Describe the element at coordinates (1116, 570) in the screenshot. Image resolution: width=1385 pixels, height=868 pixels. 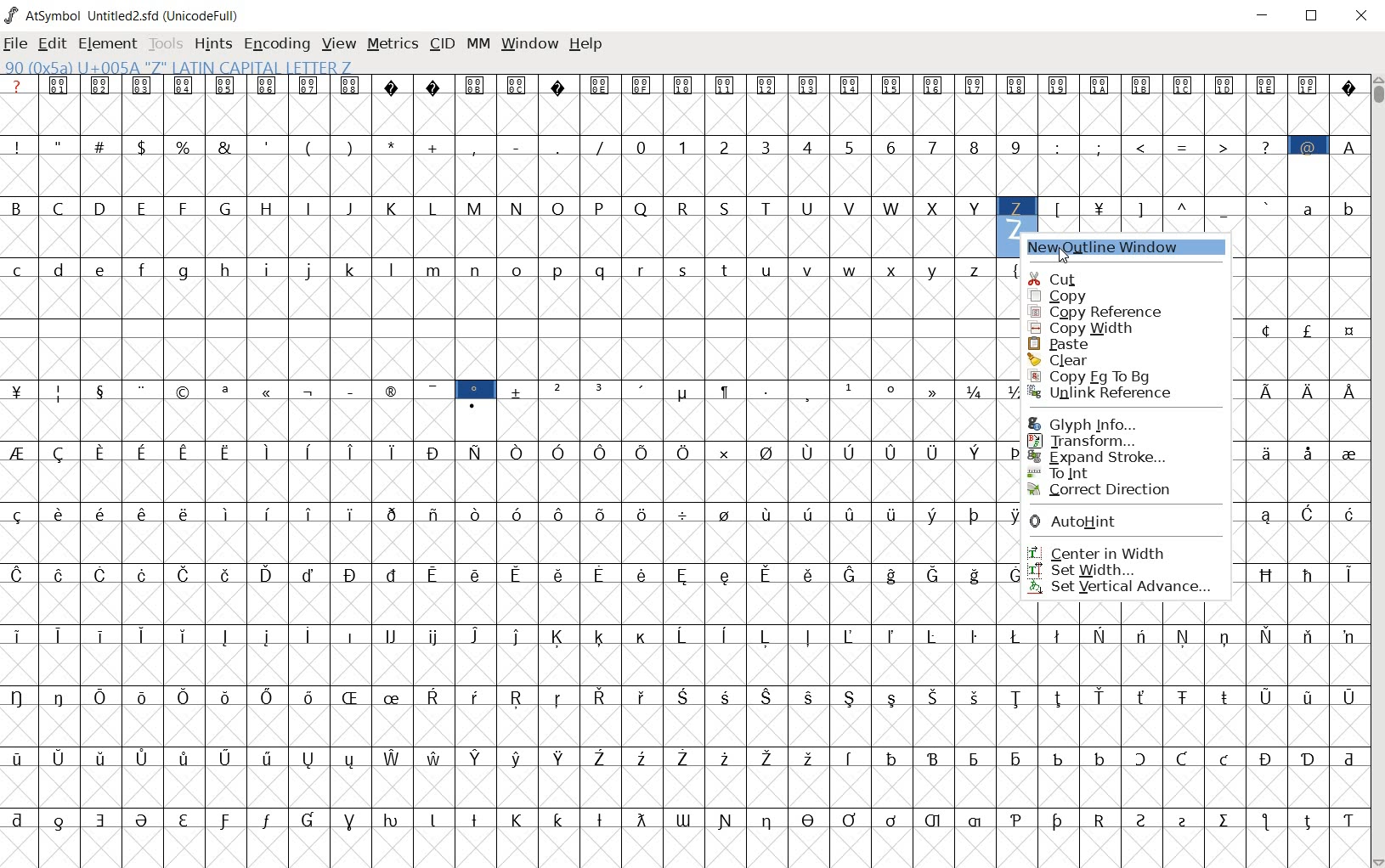
I see `set width` at that location.